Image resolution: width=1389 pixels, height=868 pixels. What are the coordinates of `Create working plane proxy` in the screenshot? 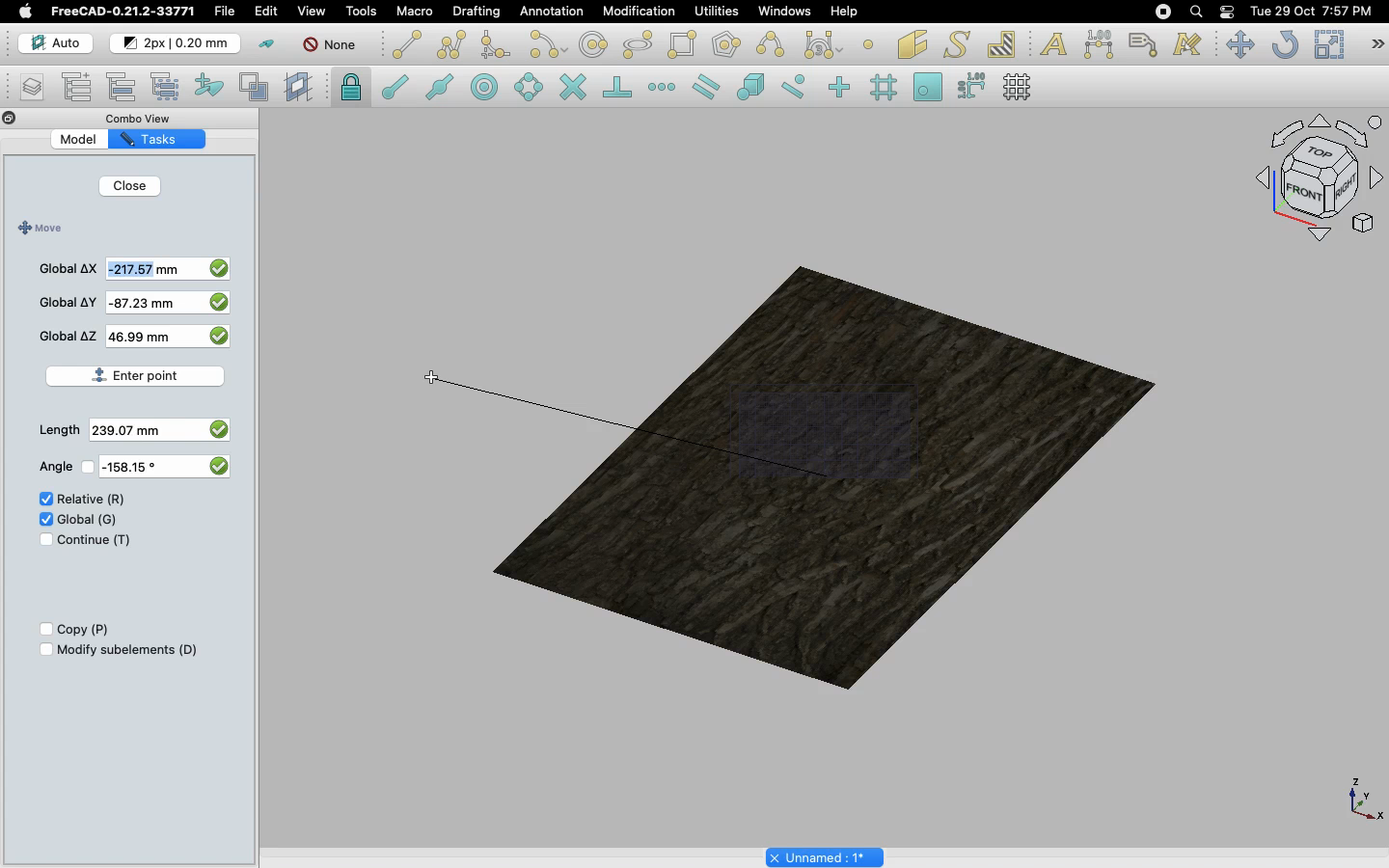 It's located at (258, 88).